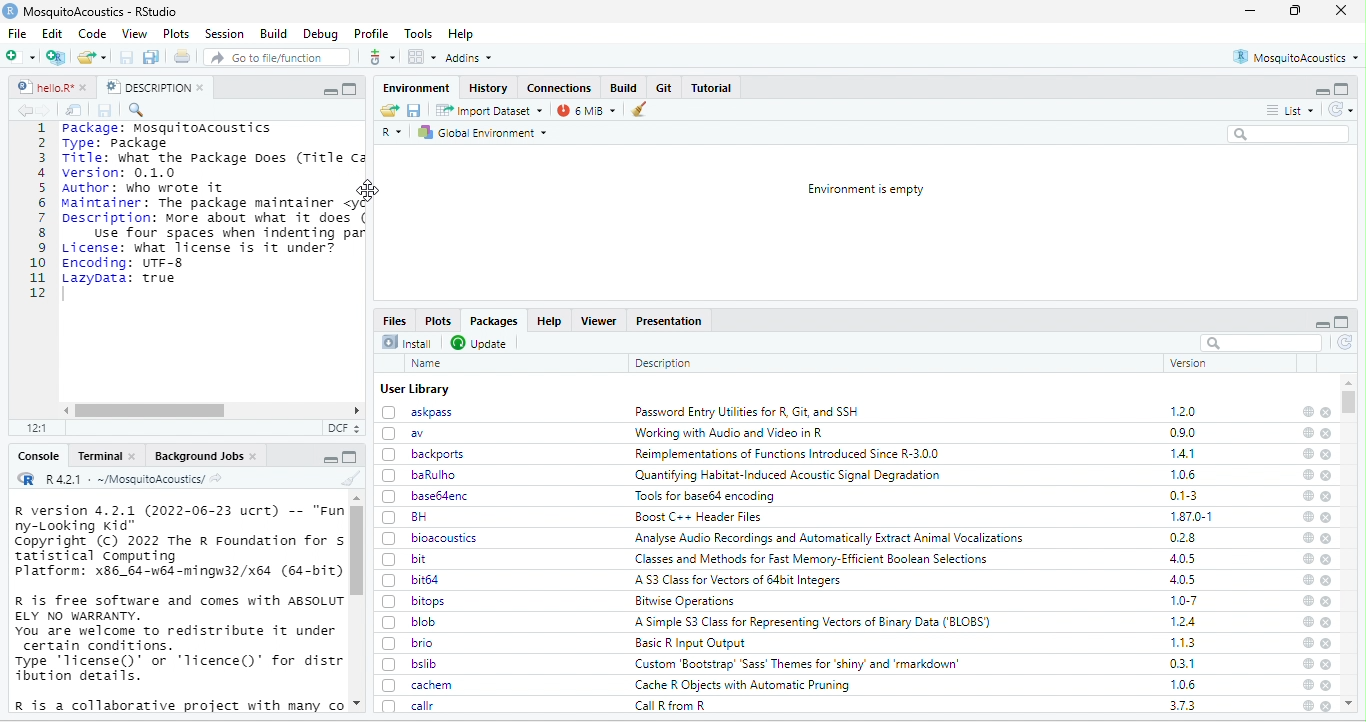  I want to click on Refresh, so click(1340, 109).